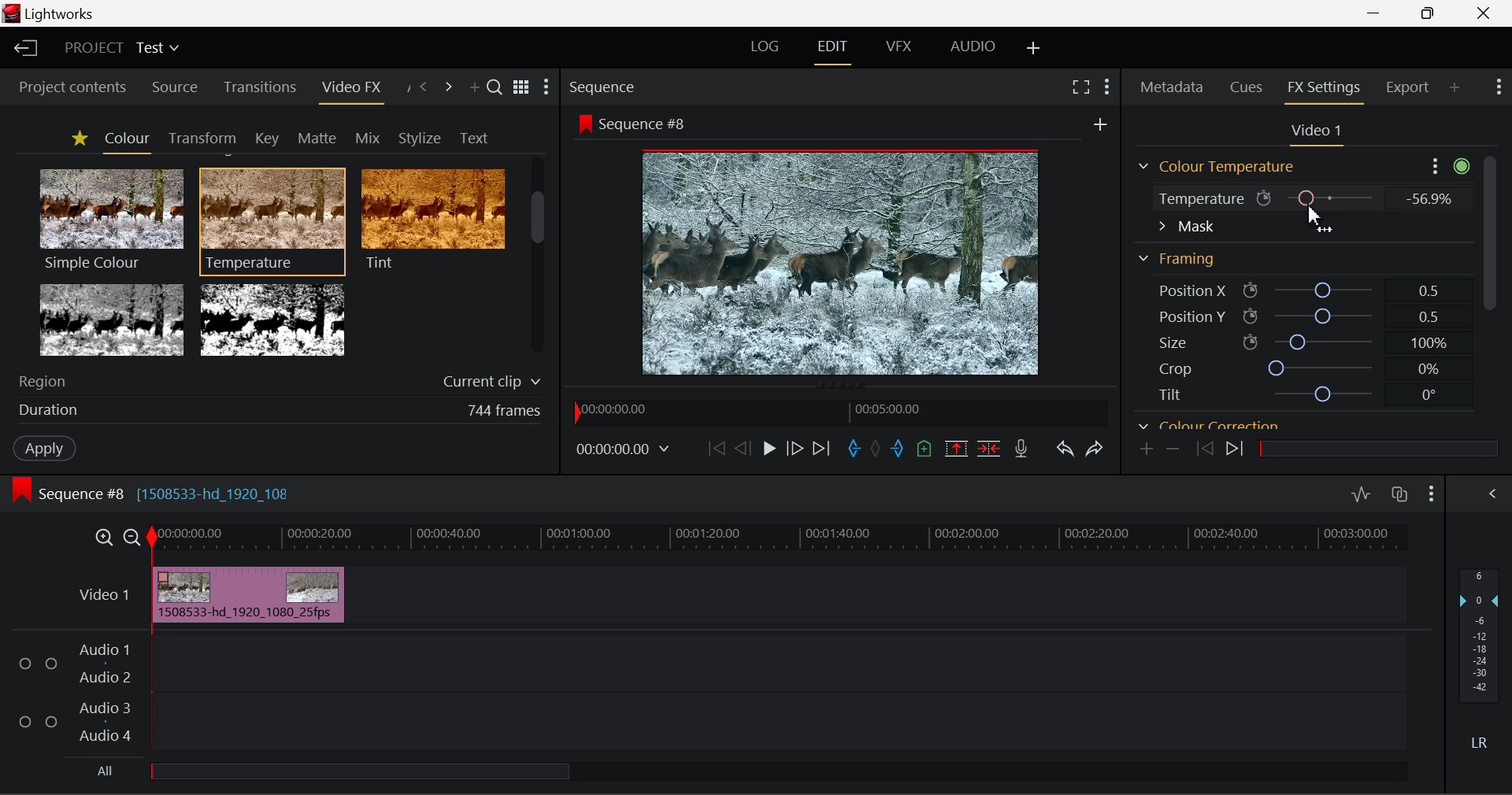  What do you see at coordinates (1250, 342) in the screenshot?
I see `icon` at bounding box center [1250, 342].